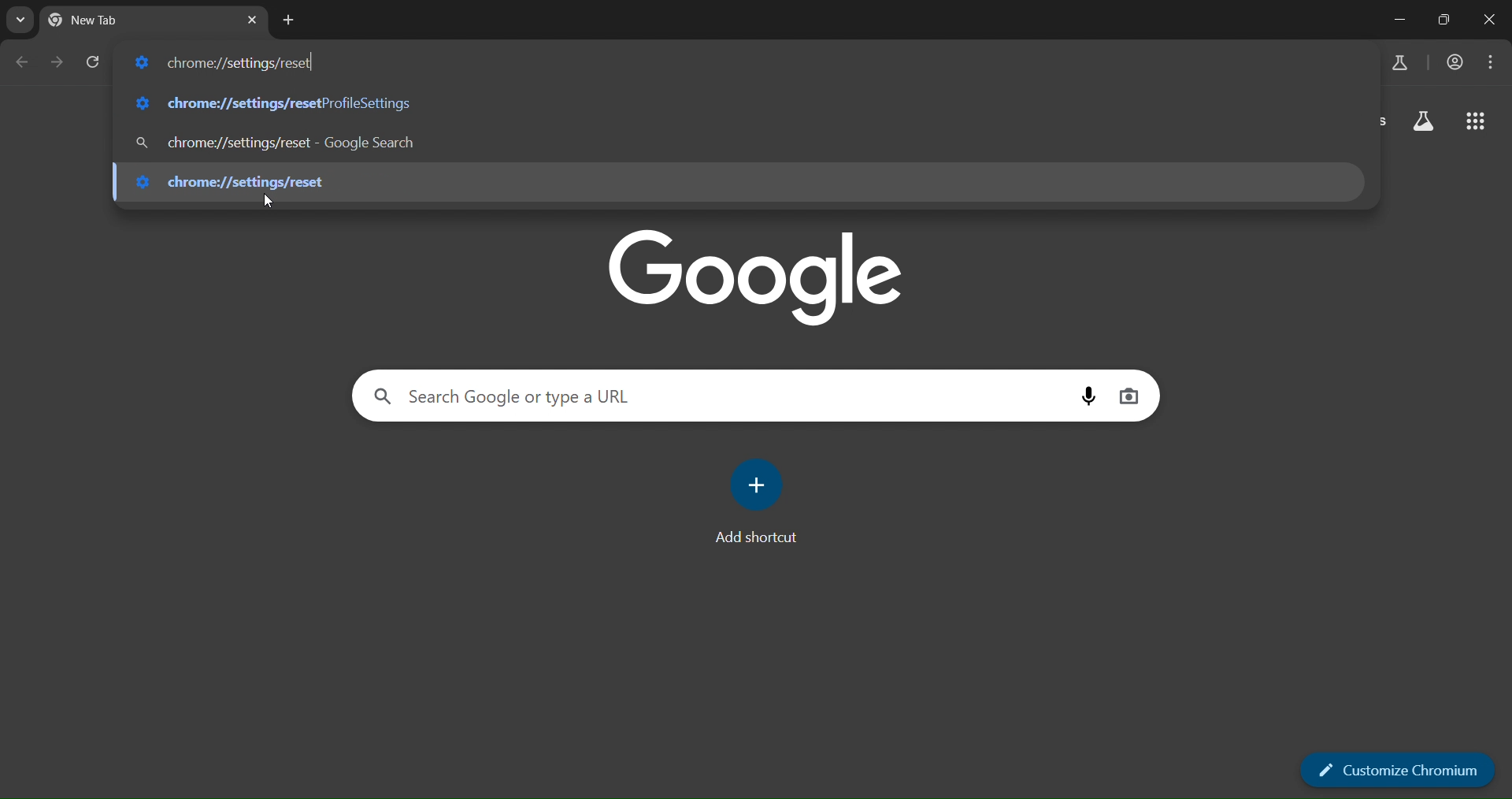 This screenshot has width=1512, height=799. I want to click on cursor, so click(269, 202).